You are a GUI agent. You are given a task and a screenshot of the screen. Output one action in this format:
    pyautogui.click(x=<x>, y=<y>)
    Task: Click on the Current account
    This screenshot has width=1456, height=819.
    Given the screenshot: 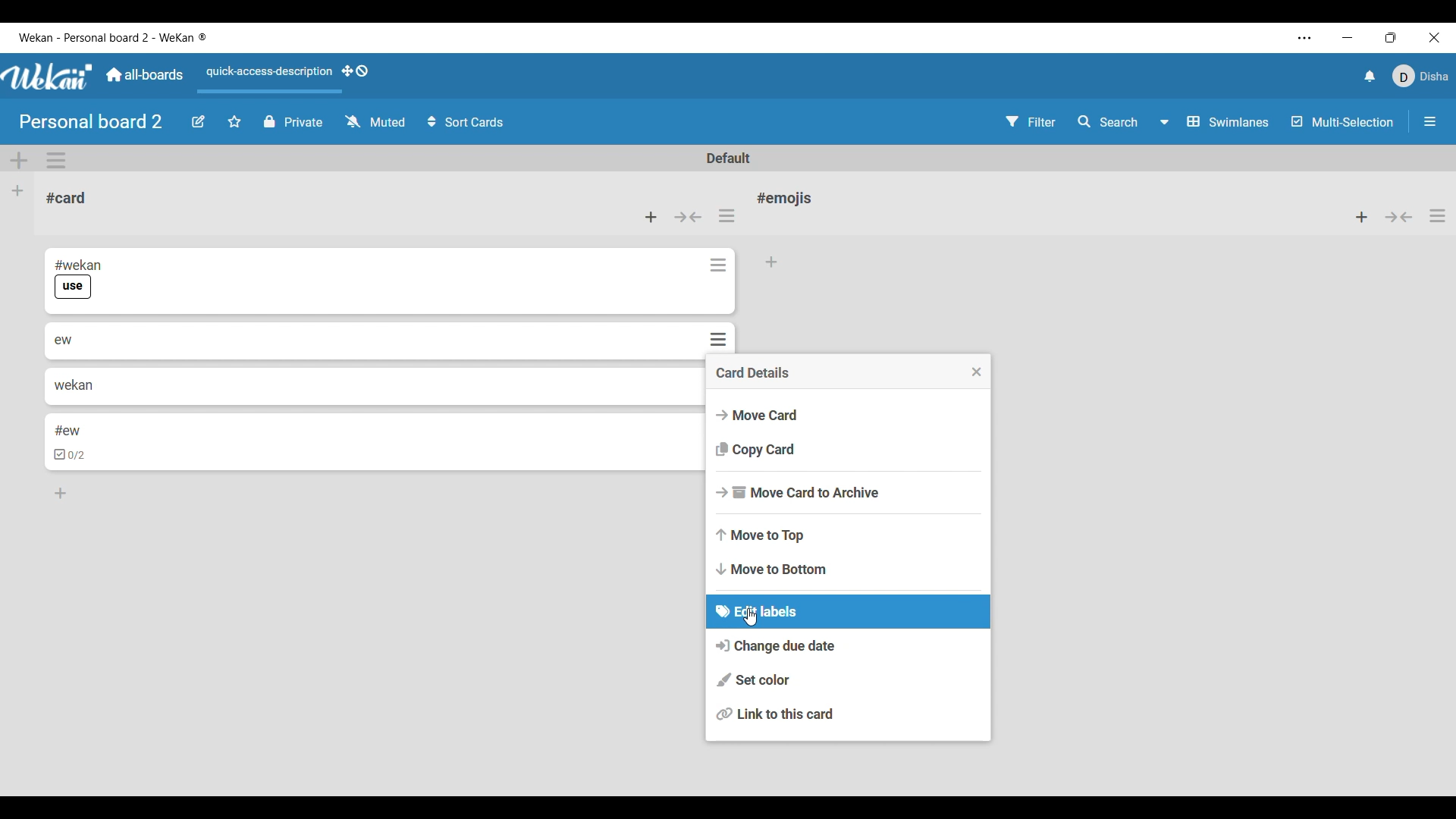 What is the action you would take?
    pyautogui.click(x=1420, y=76)
    